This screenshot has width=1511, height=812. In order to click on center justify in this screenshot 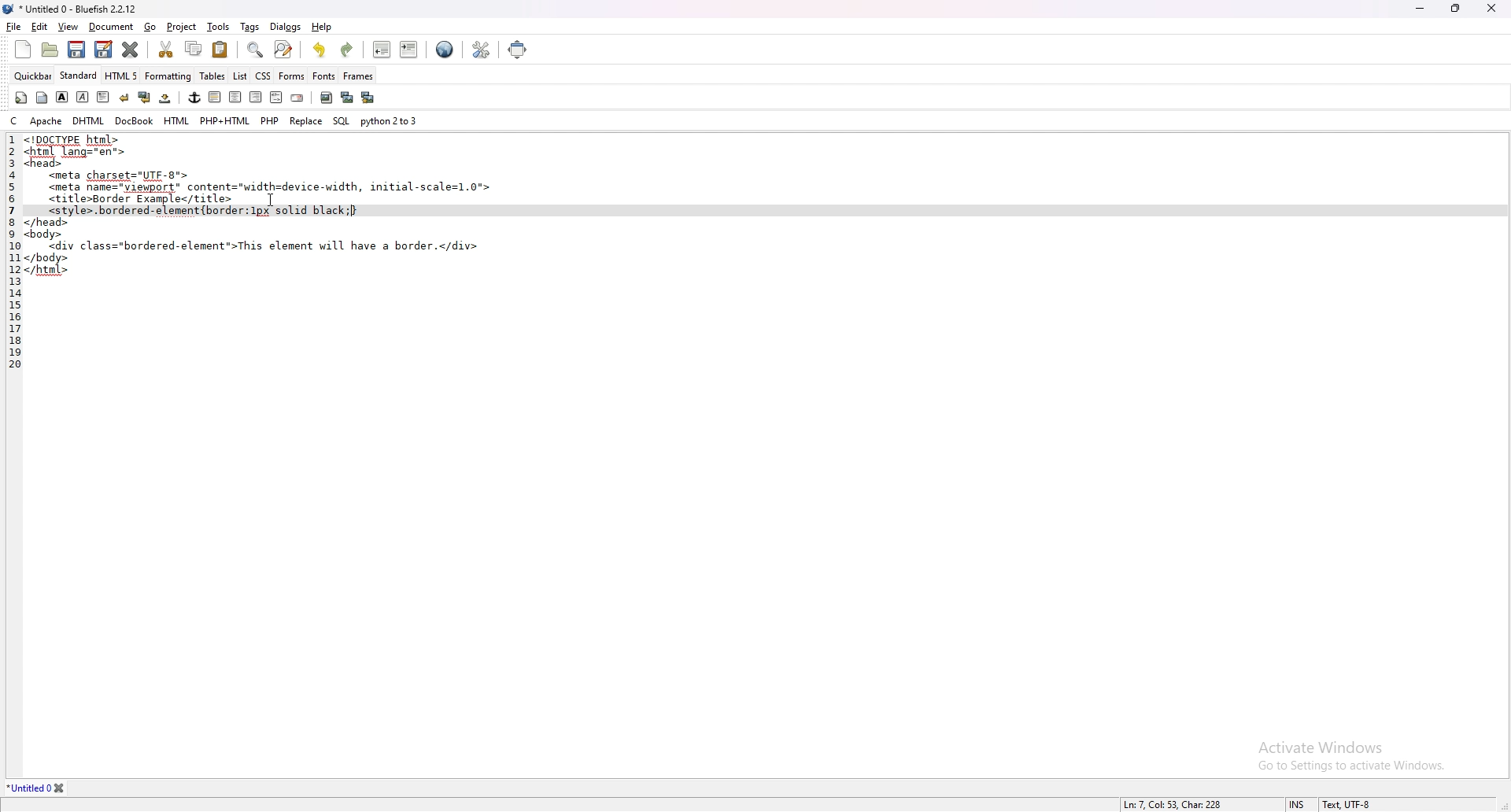, I will do `click(236, 97)`.